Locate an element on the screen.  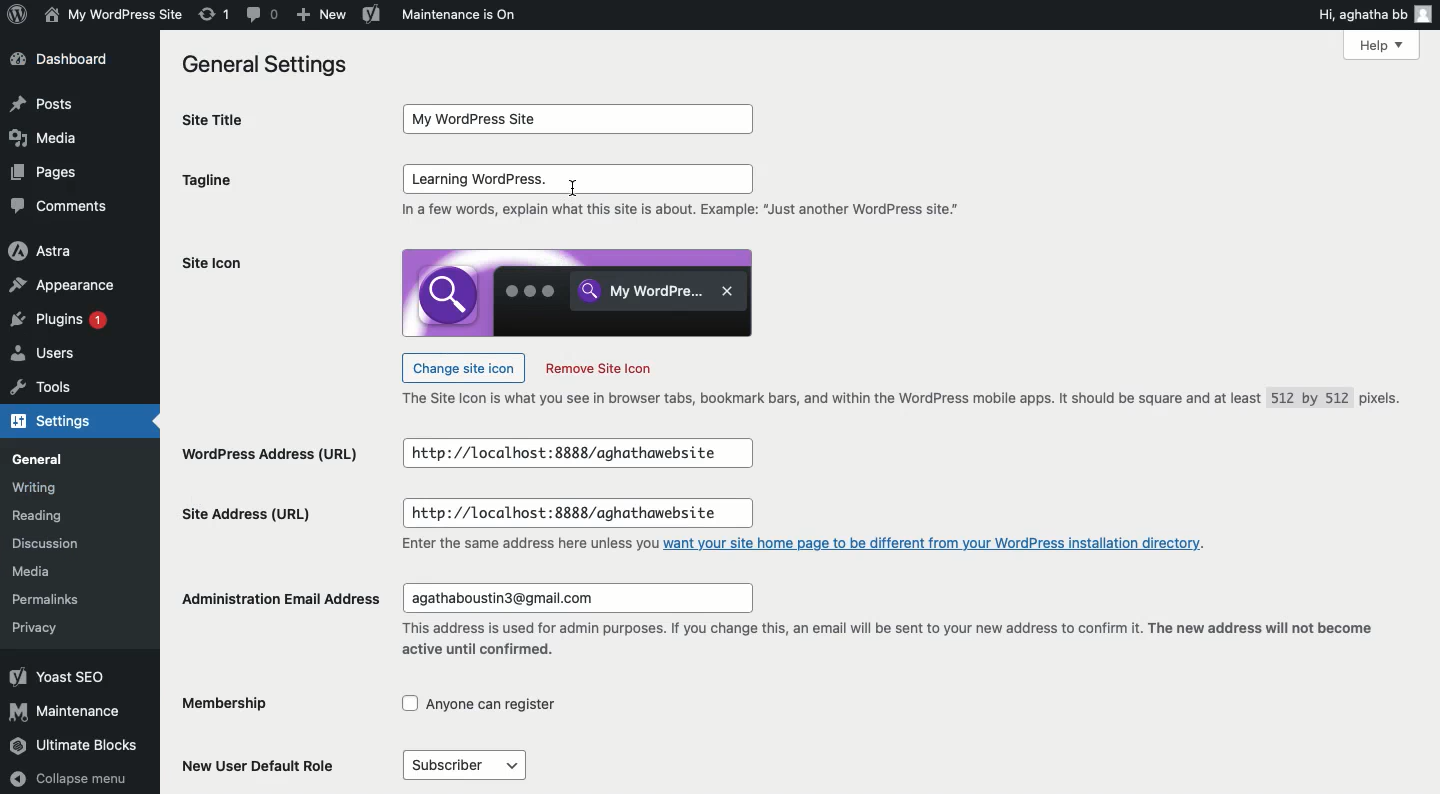
Help is located at coordinates (1381, 44).